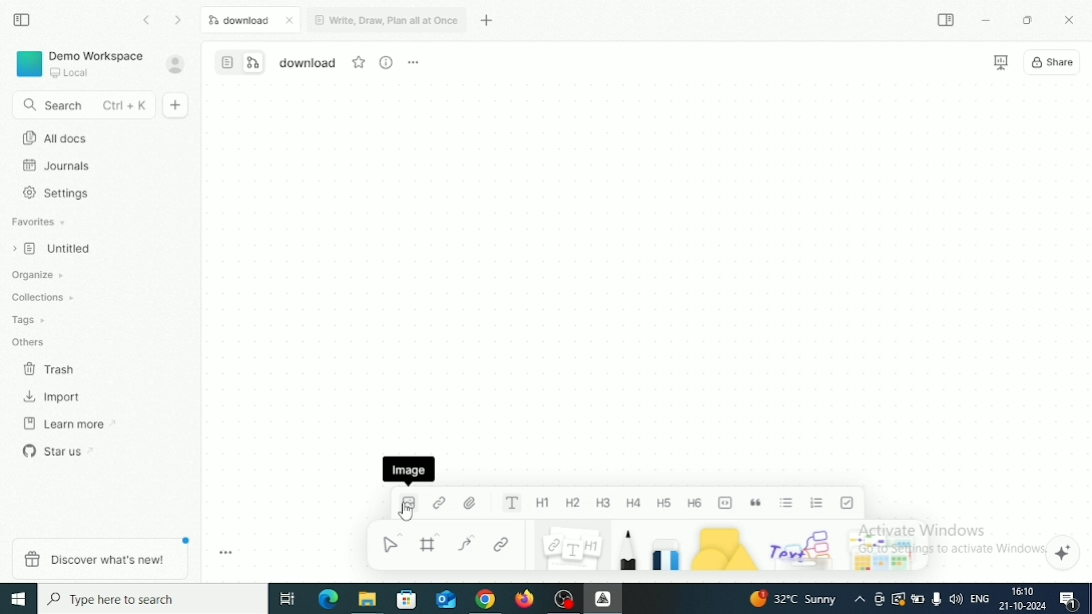 Image resolution: width=1092 pixels, height=614 pixels. Describe the element at coordinates (898, 599) in the screenshot. I see `Warning` at that location.